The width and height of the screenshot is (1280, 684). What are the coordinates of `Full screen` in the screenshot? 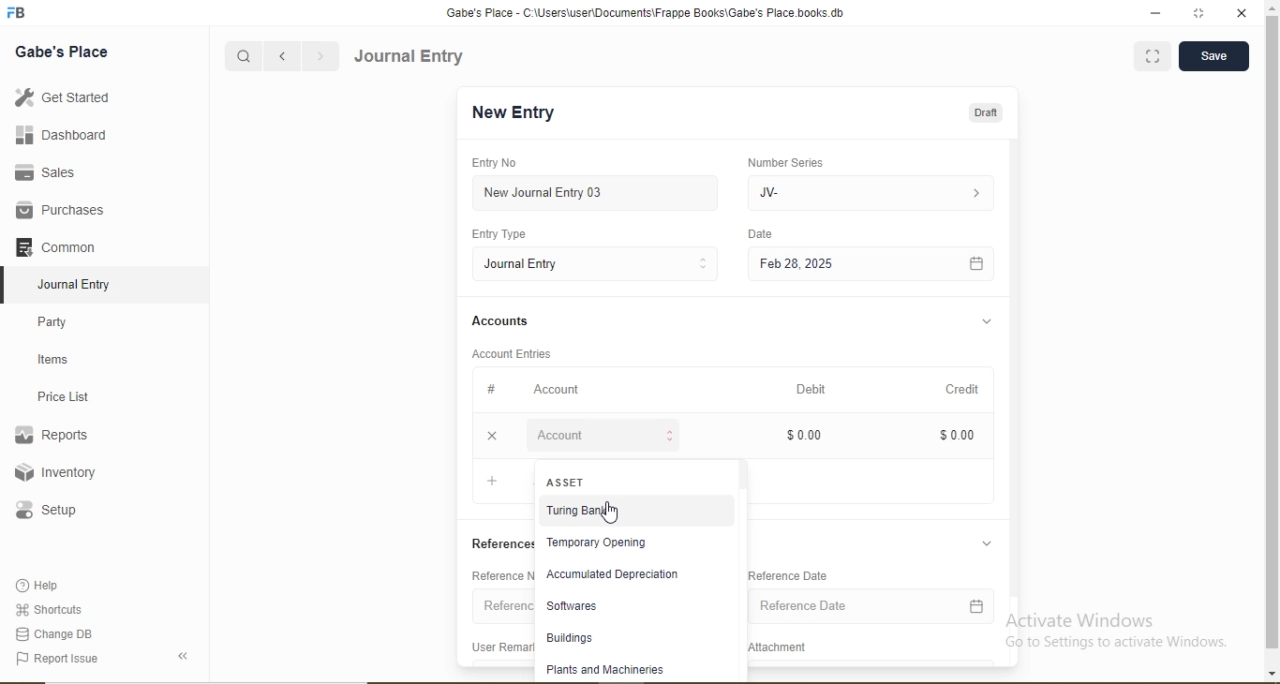 It's located at (1151, 55).